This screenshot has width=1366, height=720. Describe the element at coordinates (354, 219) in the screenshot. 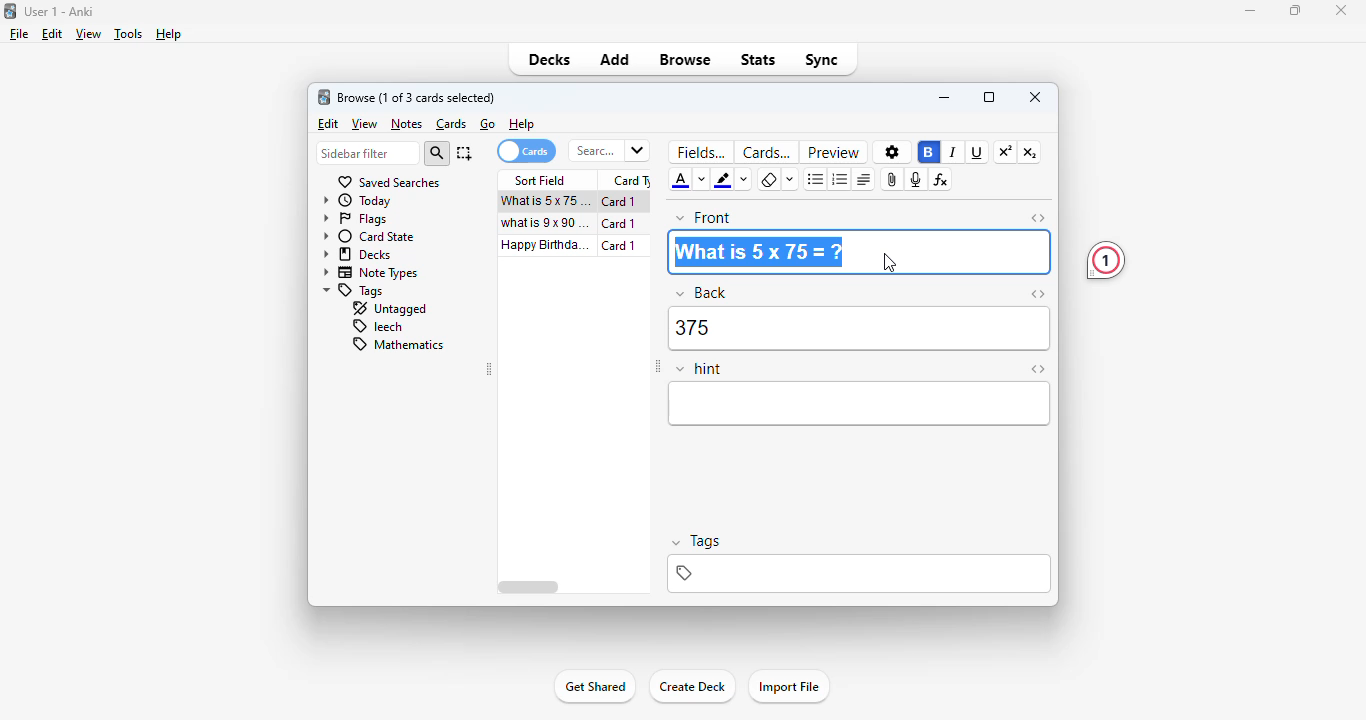

I see `flags` at that location.